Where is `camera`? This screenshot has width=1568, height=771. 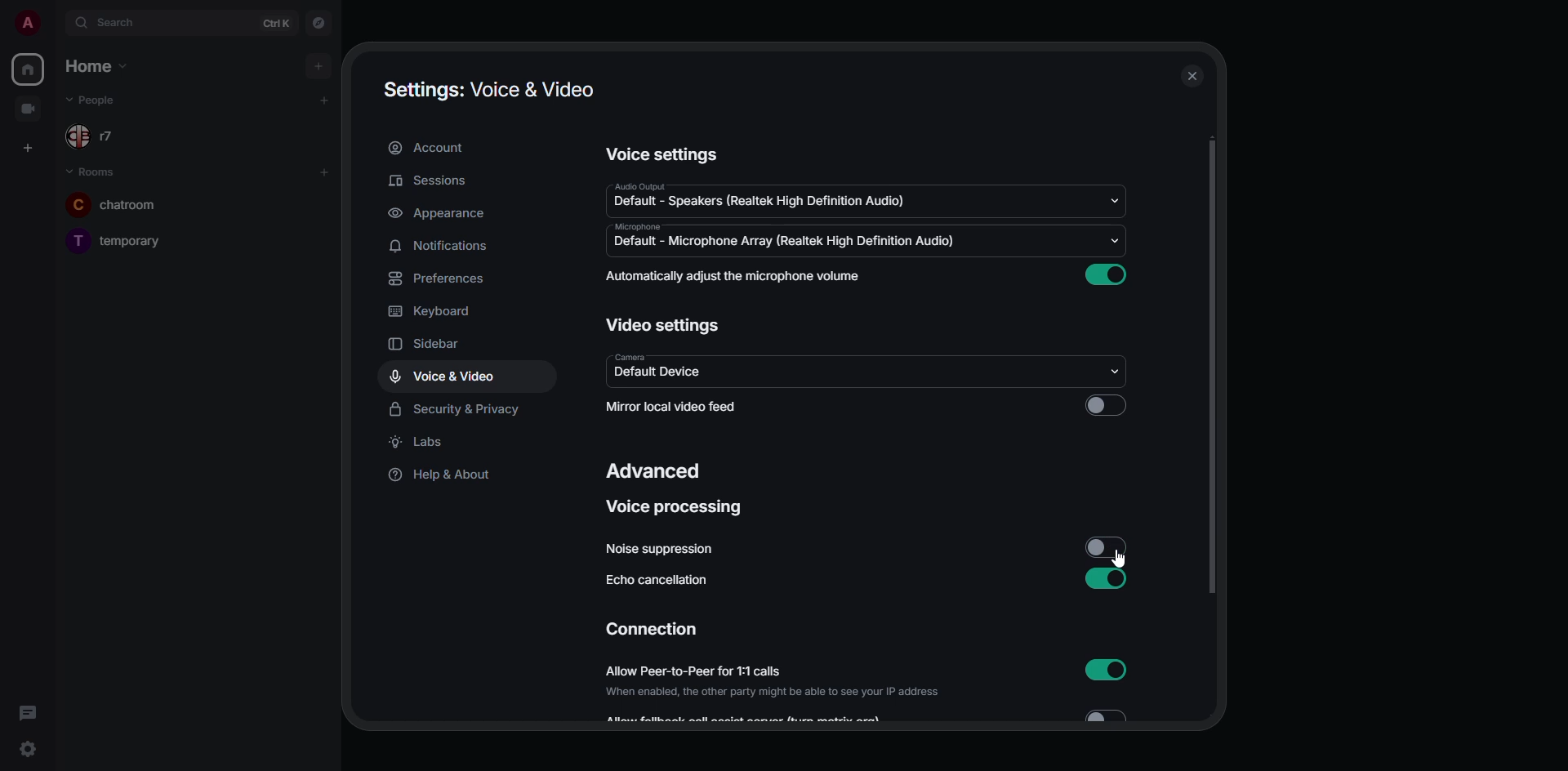
camera is located at coordinates (632, 356).